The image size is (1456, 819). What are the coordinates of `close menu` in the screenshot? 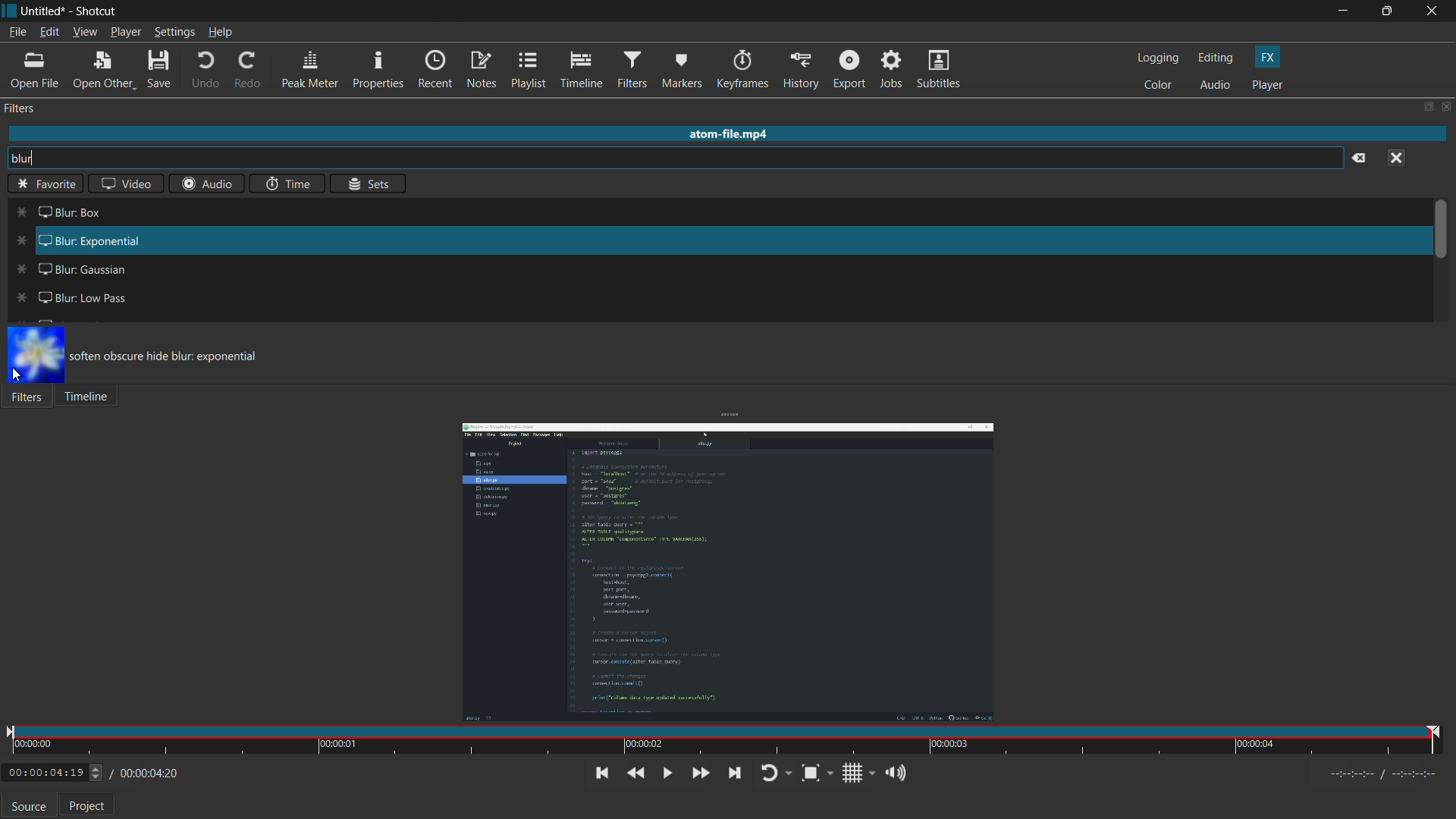 It's located at (1398, 158).